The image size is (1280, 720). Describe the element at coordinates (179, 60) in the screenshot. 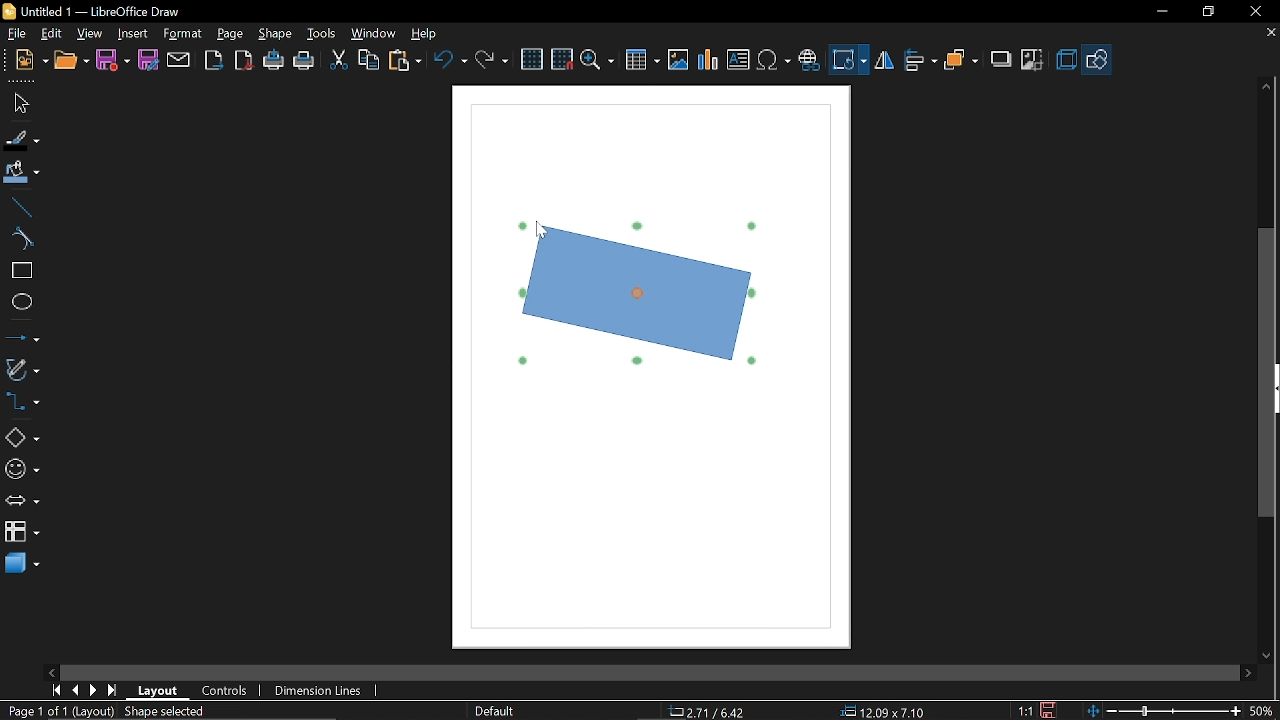

I see `attach` at that location.